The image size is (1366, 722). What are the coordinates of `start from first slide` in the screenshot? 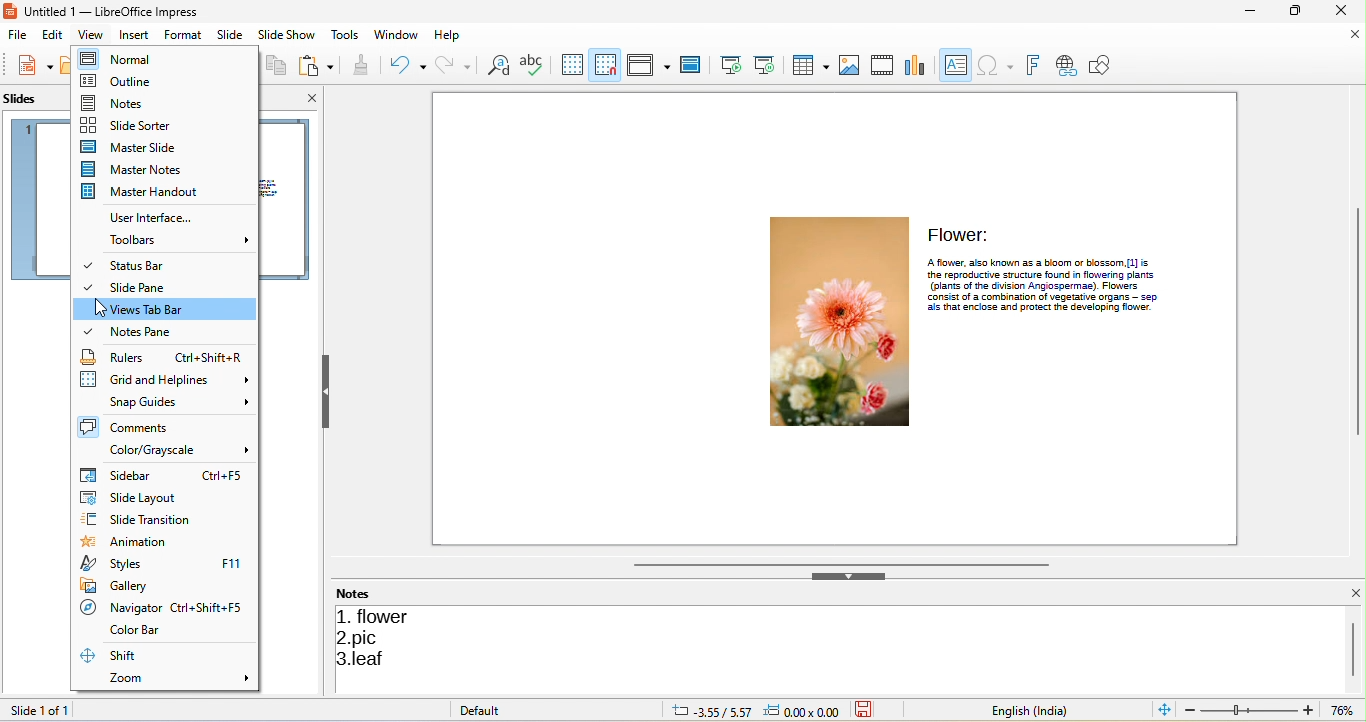 It's located at (726, 67).